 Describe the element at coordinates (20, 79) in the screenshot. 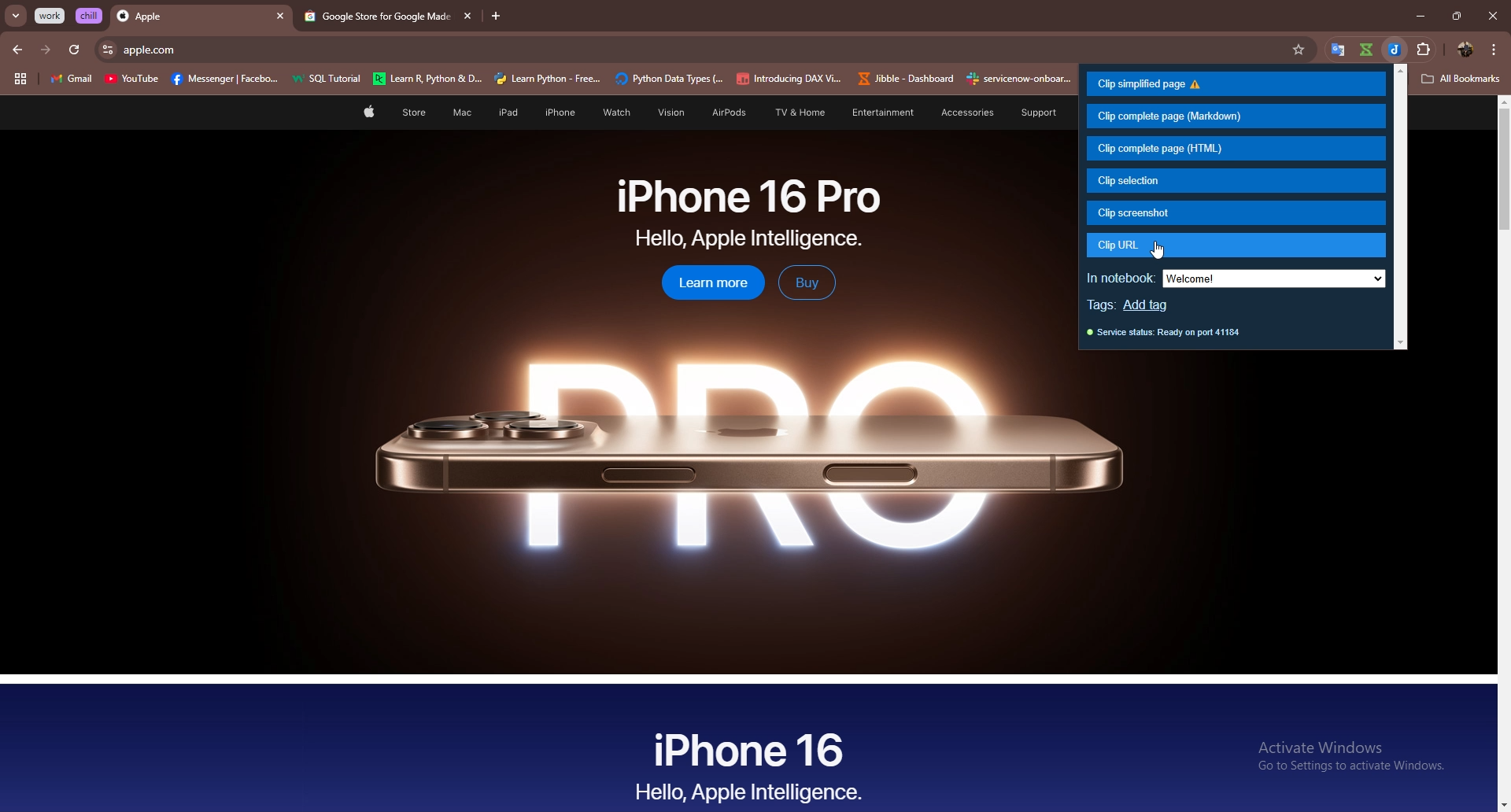

I see `tab groups` at that location.